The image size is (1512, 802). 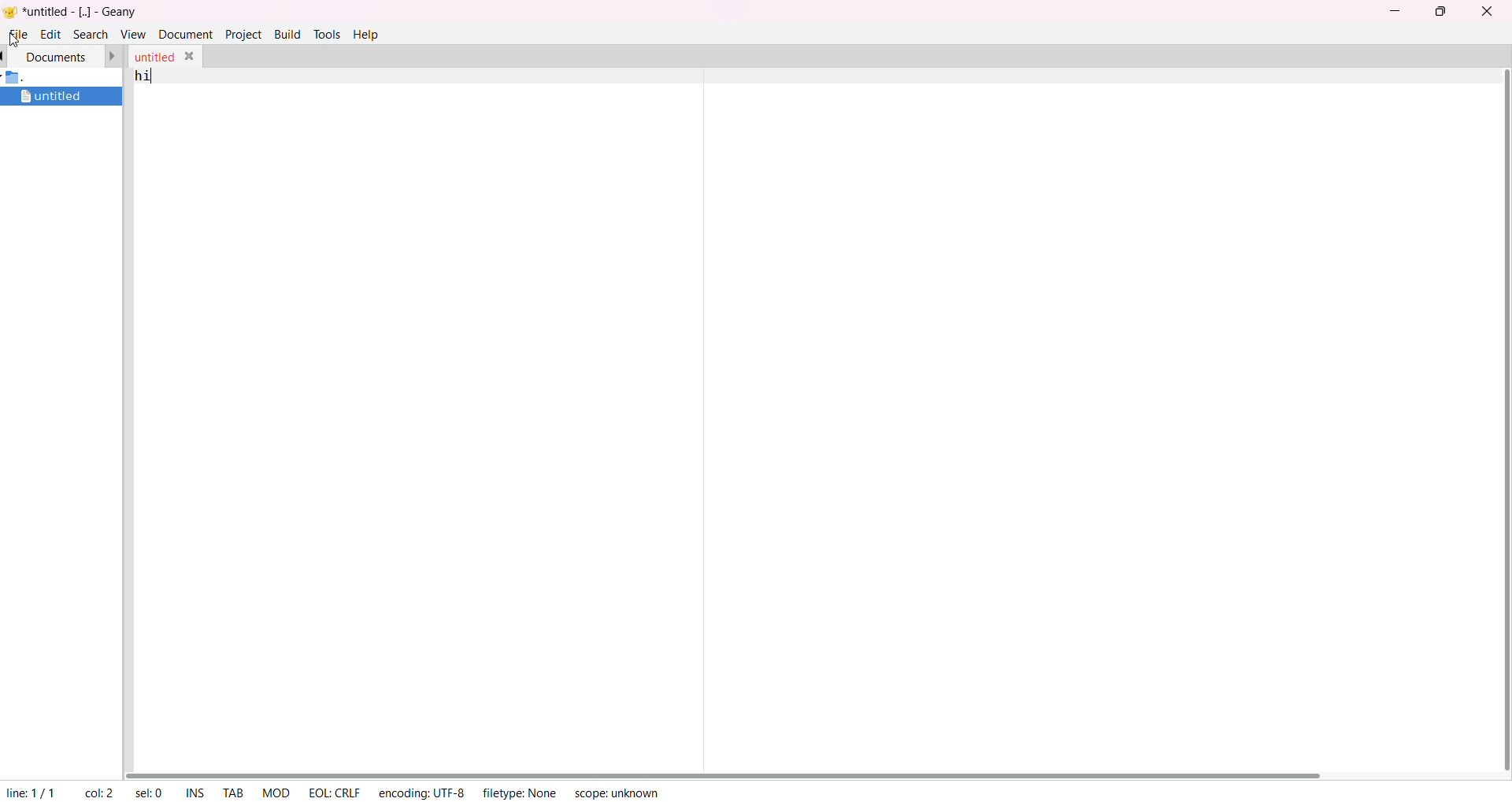 What do you see at coordinates (277, 792) in the screenshot?
I see `mod` at bounding box center [277, 792].